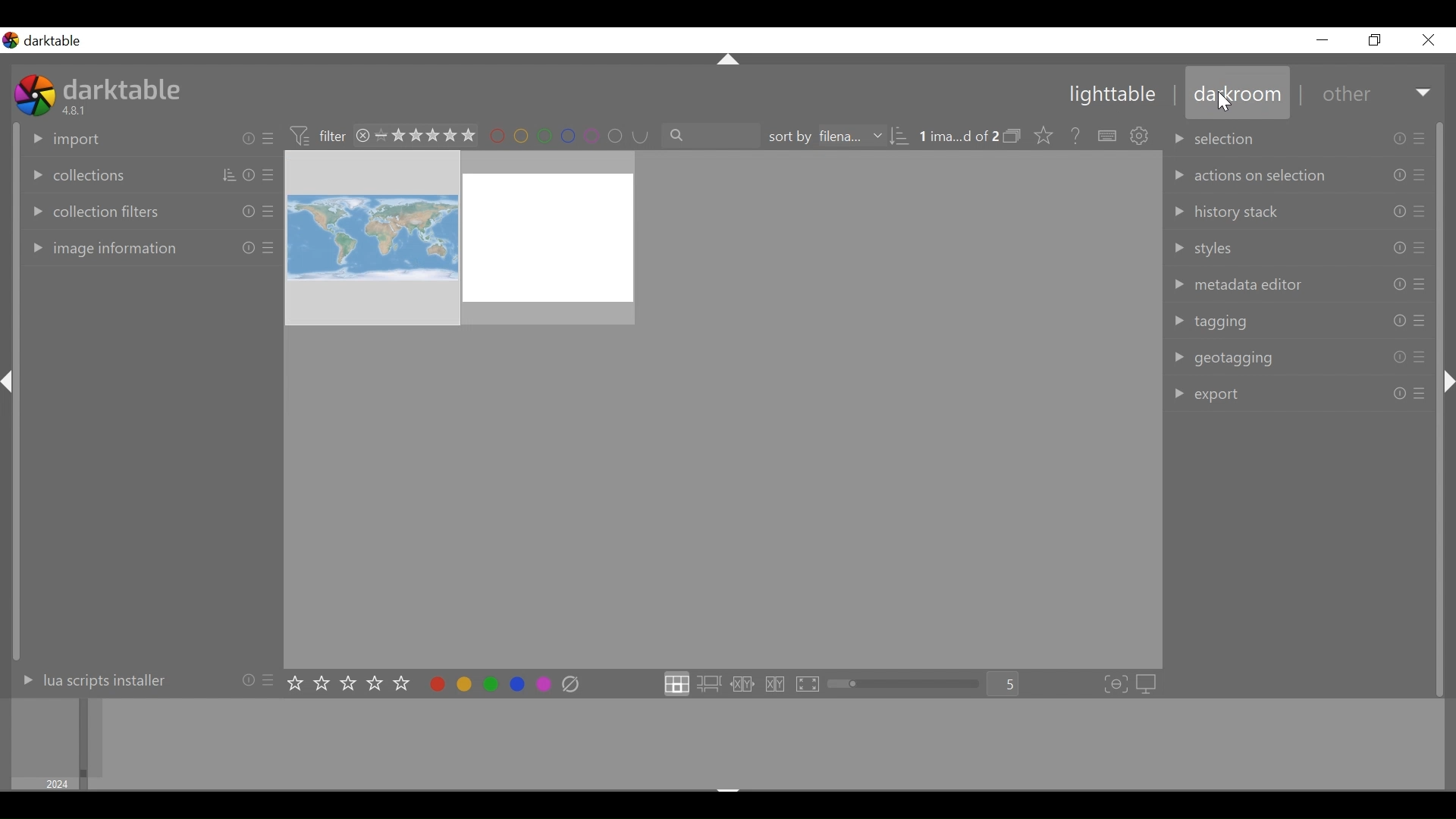  Describe the element at coordinates (1298, 209) in the screenshot. I see `history pack` at that location.